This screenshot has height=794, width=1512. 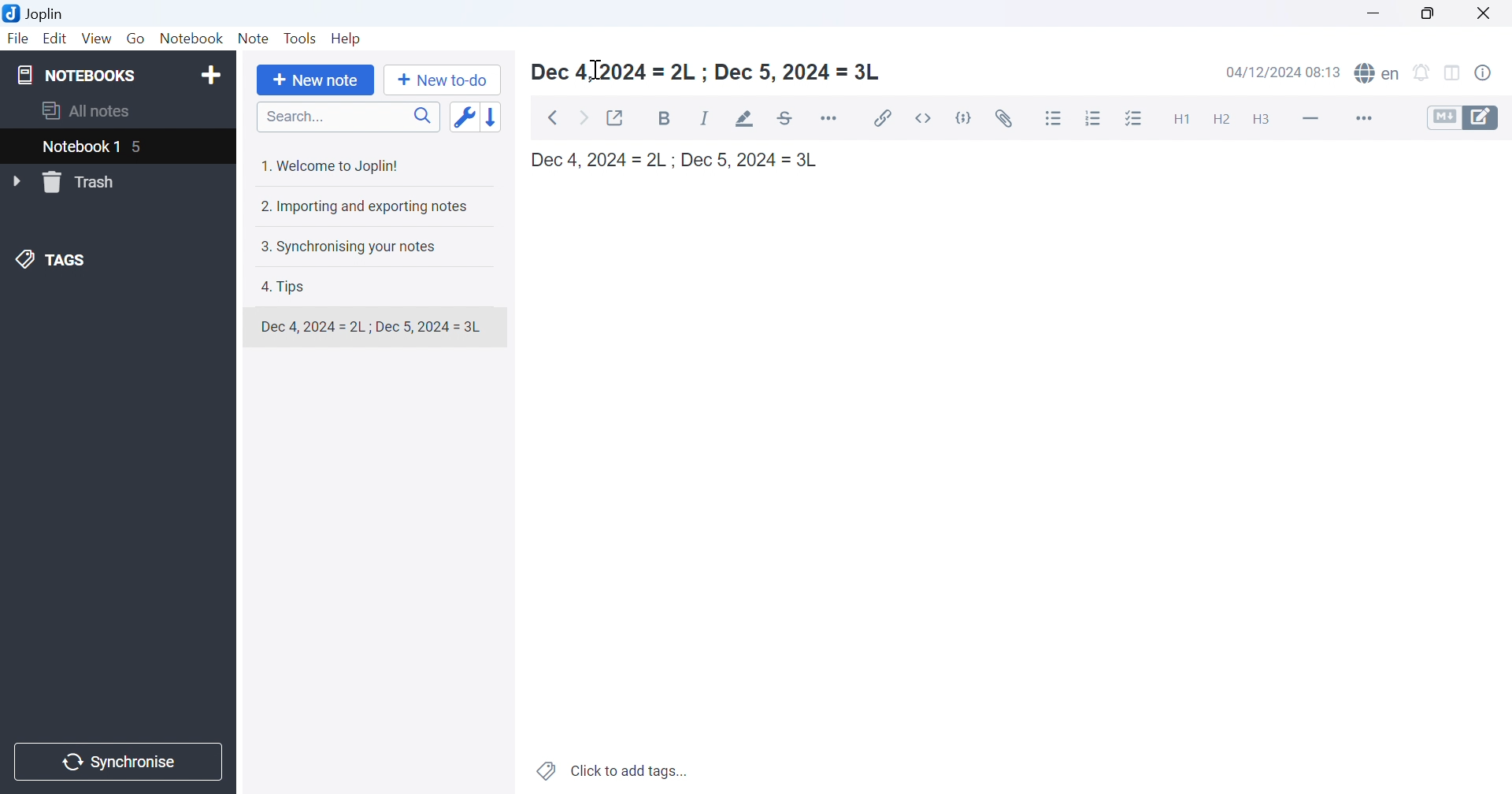 I want to click on NOTEBOOKS, so click(x=80, y=76).